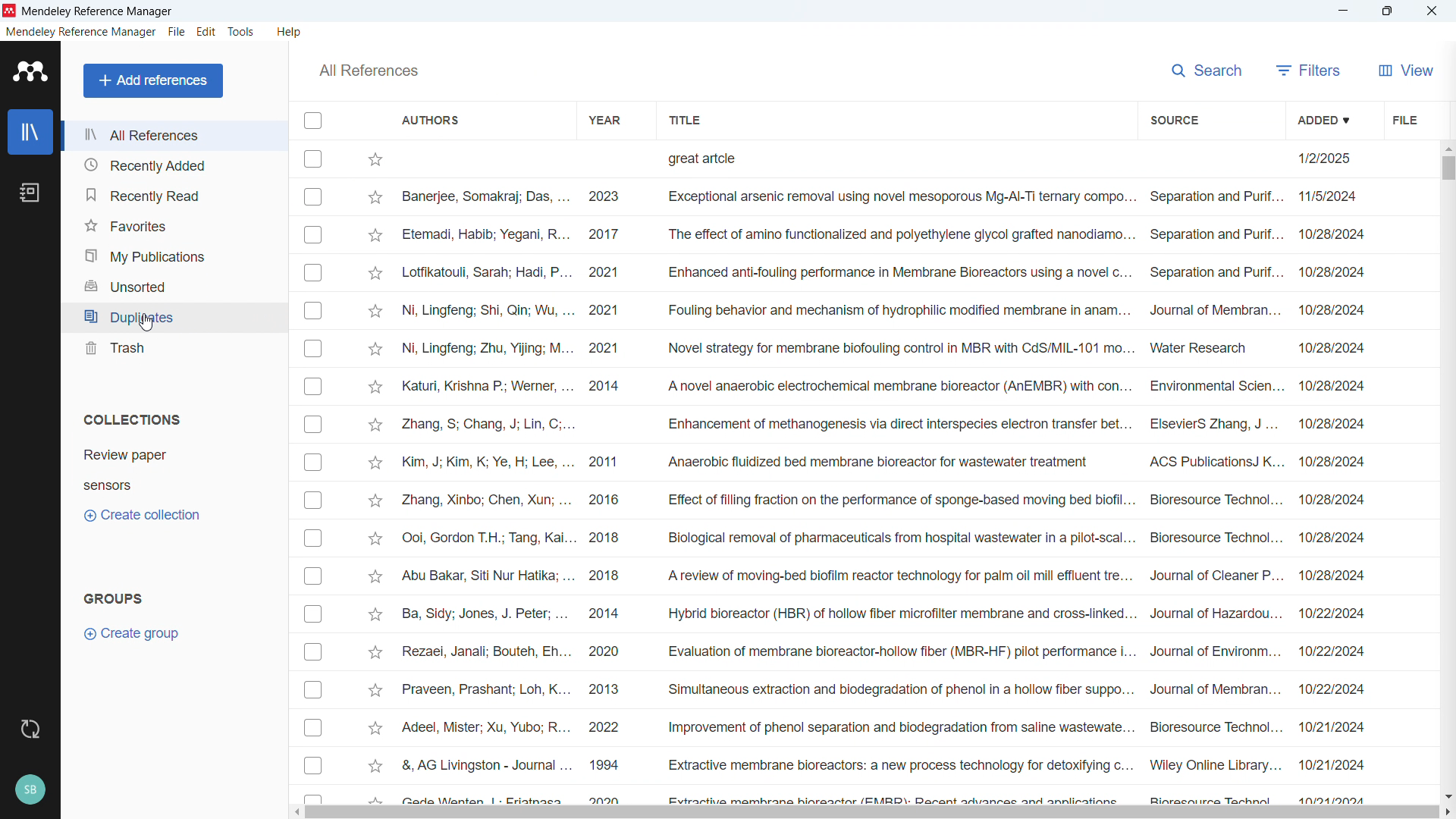 The image size is (1456, 819). I want to click on year of publication of individual entries , so click(604, 475).